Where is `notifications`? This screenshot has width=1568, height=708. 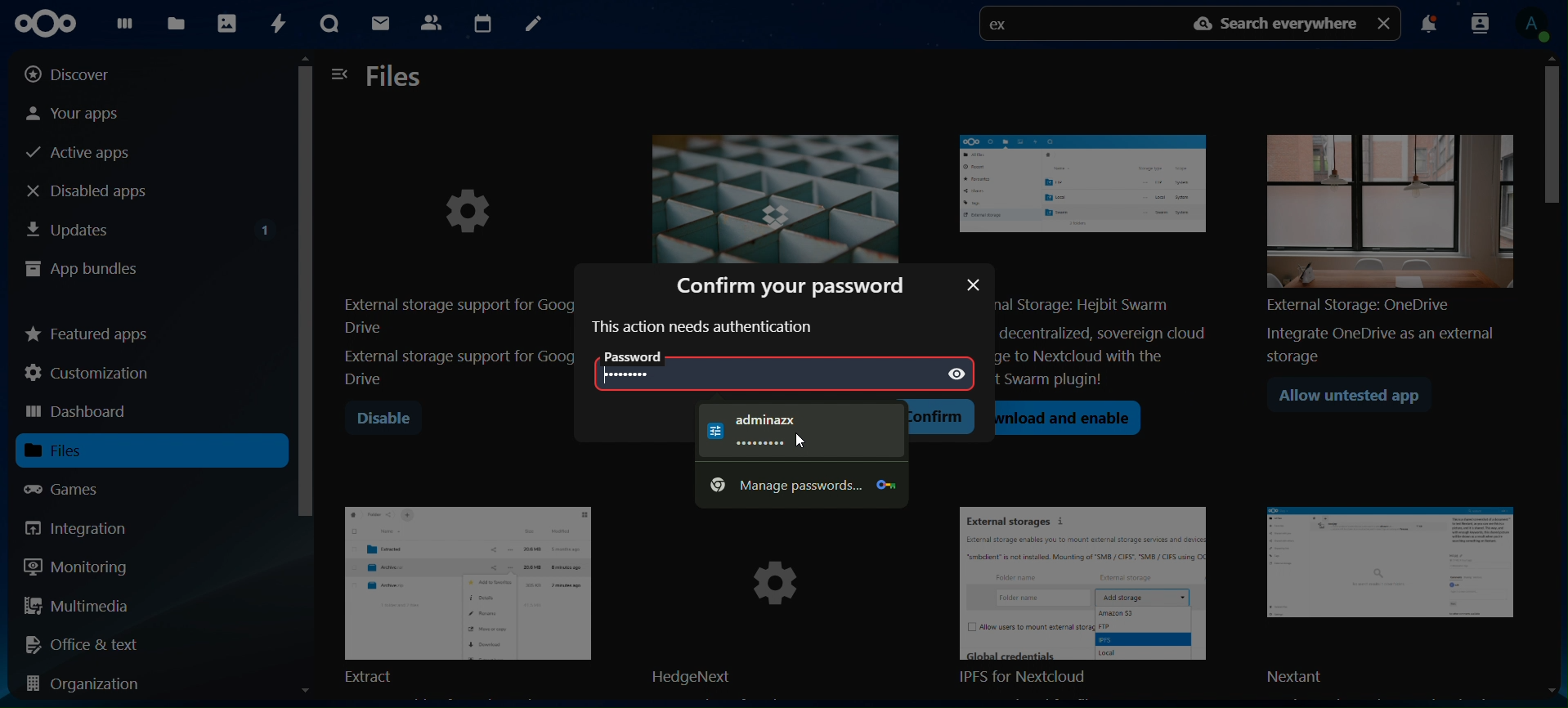
notifications is located at coordinates (1428, 26).